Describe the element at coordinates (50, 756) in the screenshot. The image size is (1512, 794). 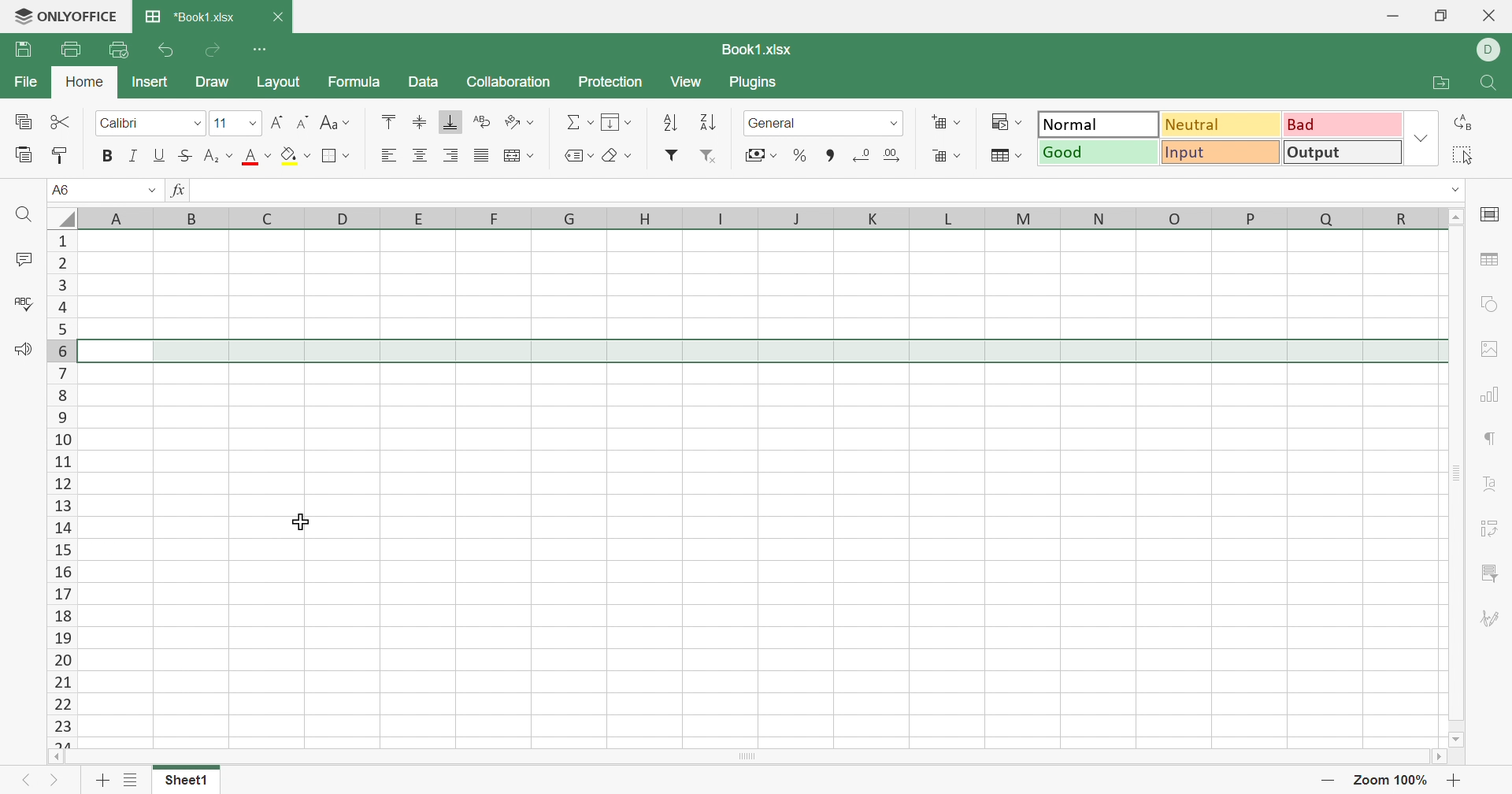
I see `Scroll Left` at that location.